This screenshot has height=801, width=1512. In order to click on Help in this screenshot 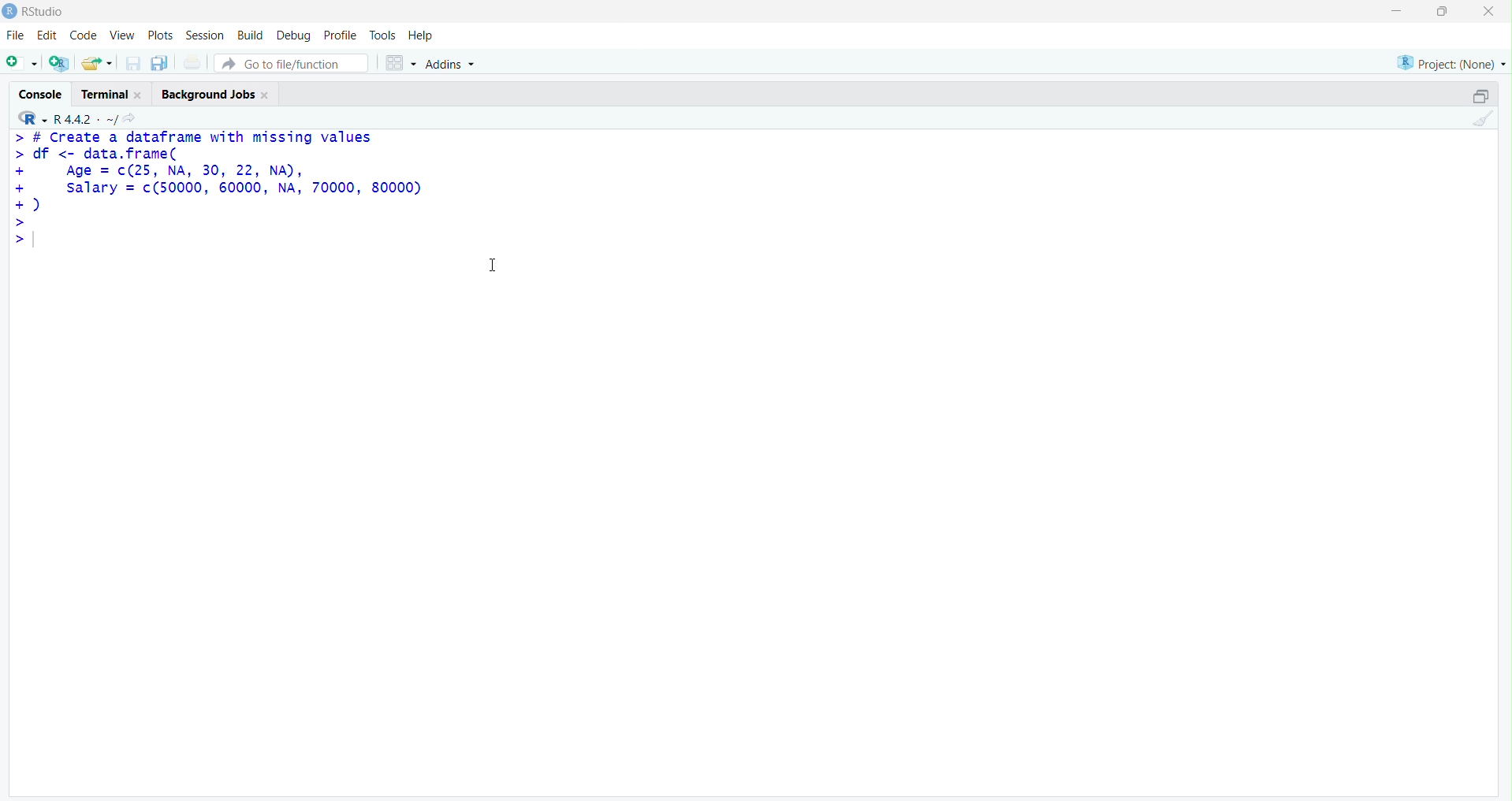, I will do `click(421, 36)`.